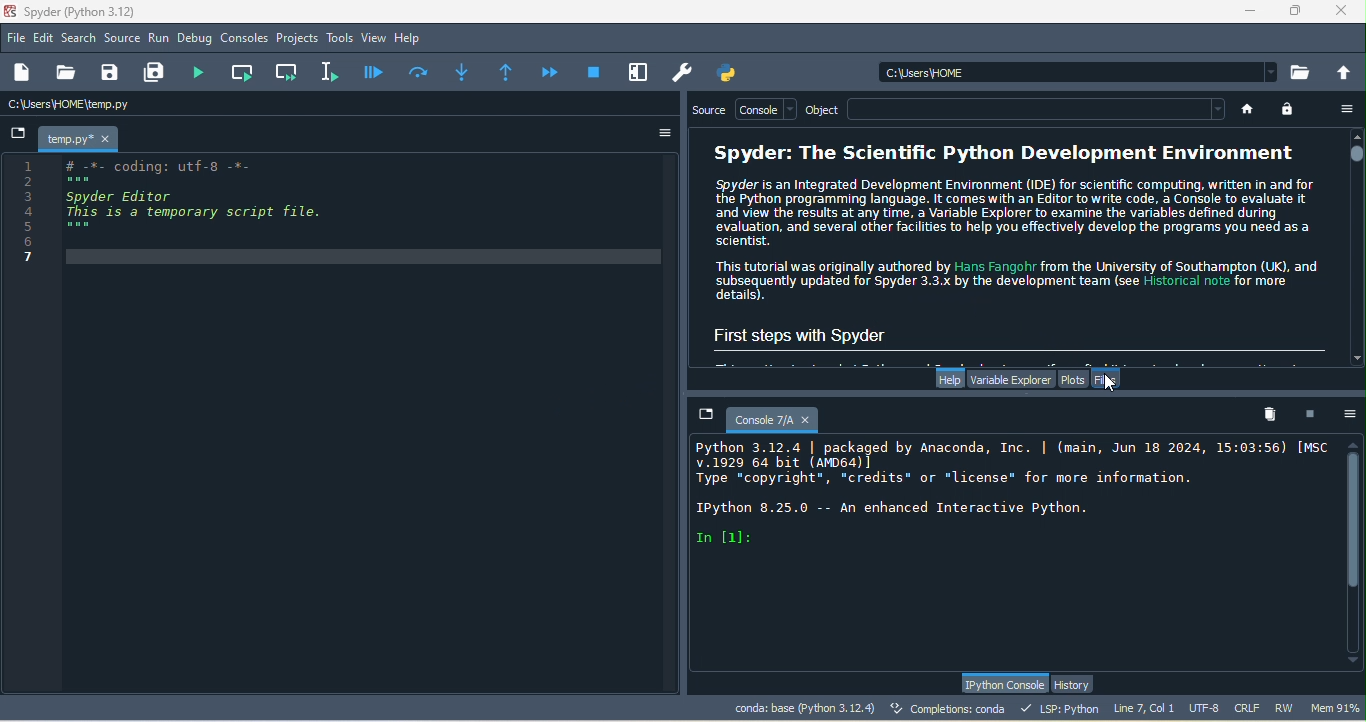  What do you see at coordinates (1338, 707) in the screenshot?
I see `men 91%` at bounding box center [1338, 707].